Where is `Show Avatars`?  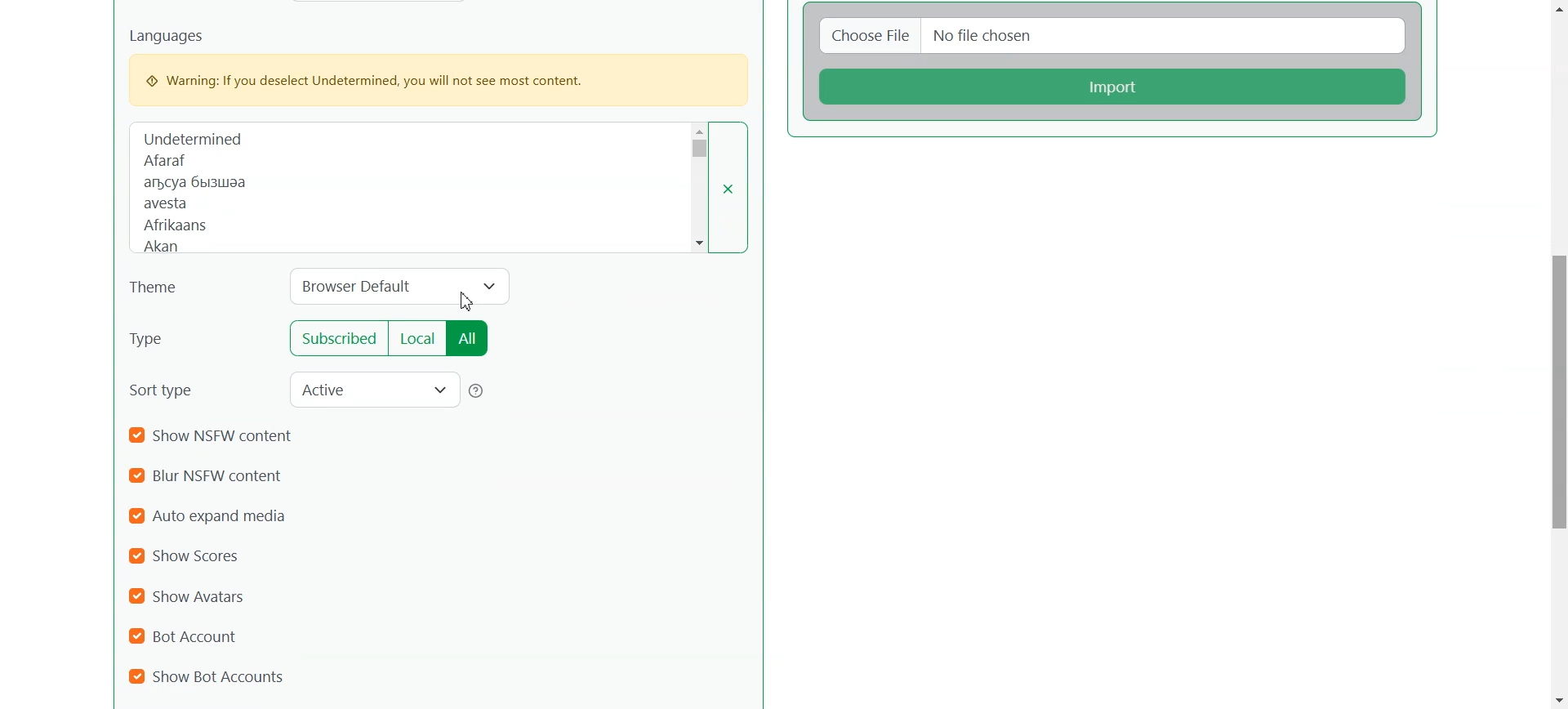
Show Avatars is located at coordinates (189, 596).